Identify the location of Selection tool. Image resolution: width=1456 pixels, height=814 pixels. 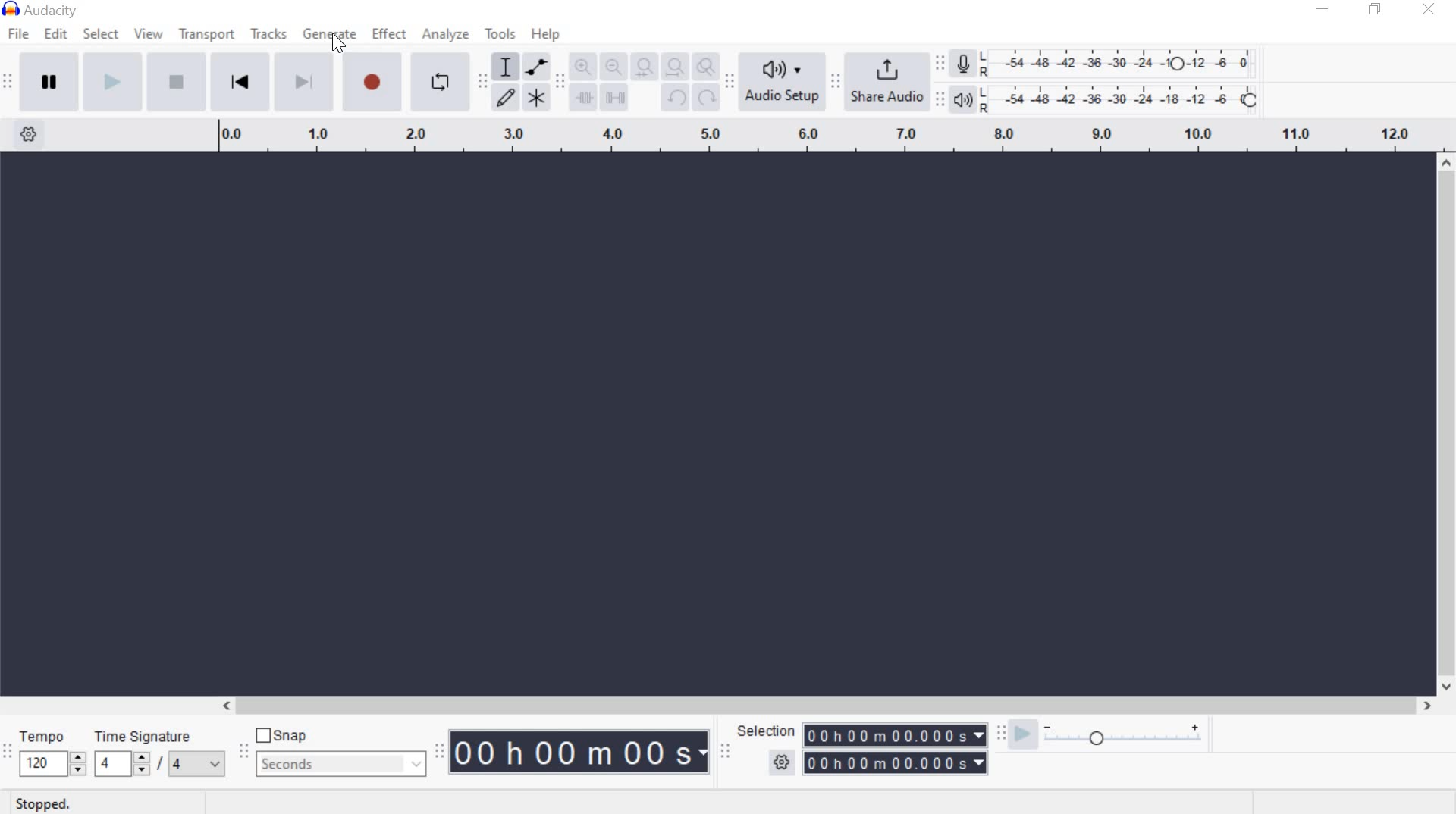
(506, 68).